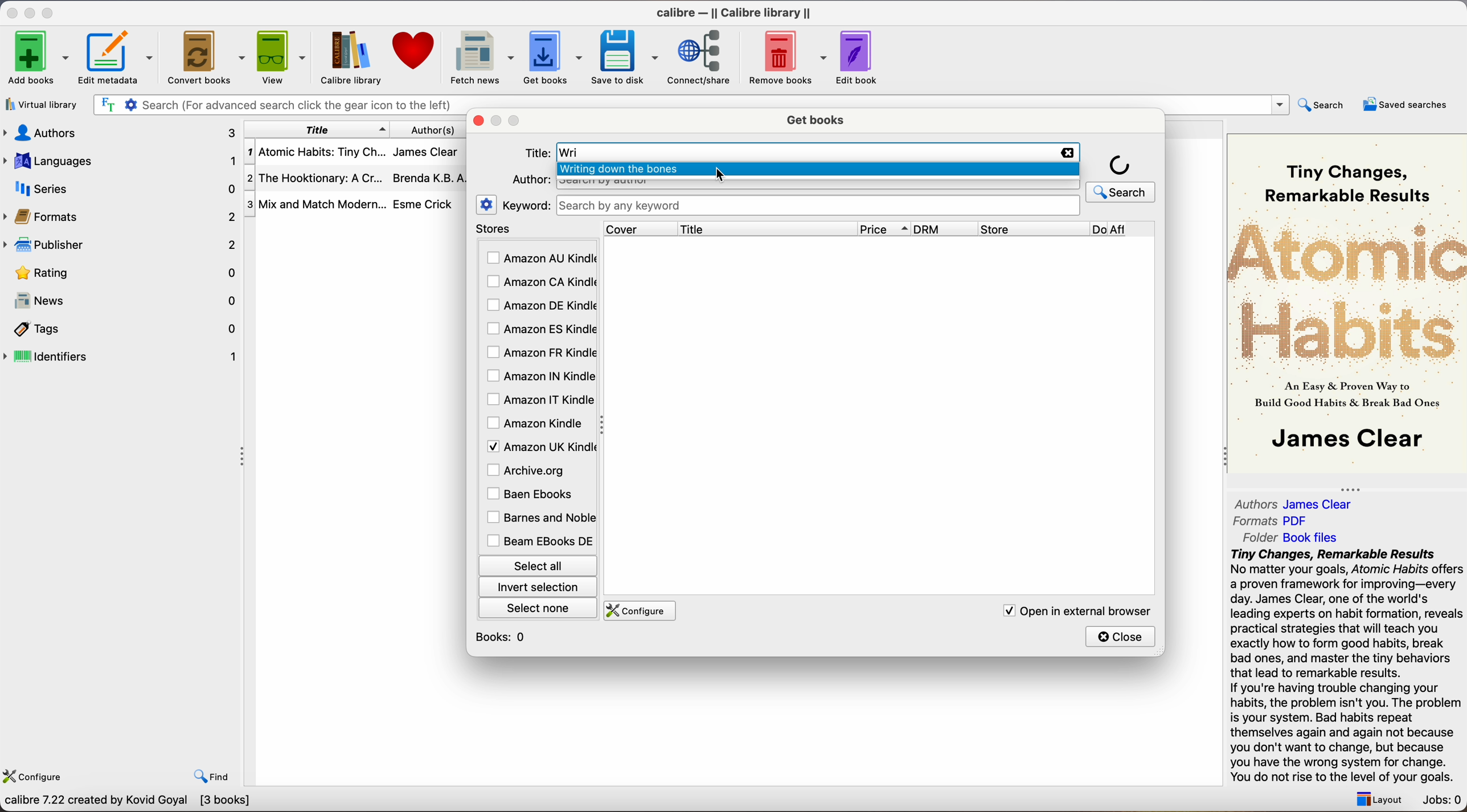 This screenshot has width=1467, height=812. I want to click on select all, so click(536, 564).